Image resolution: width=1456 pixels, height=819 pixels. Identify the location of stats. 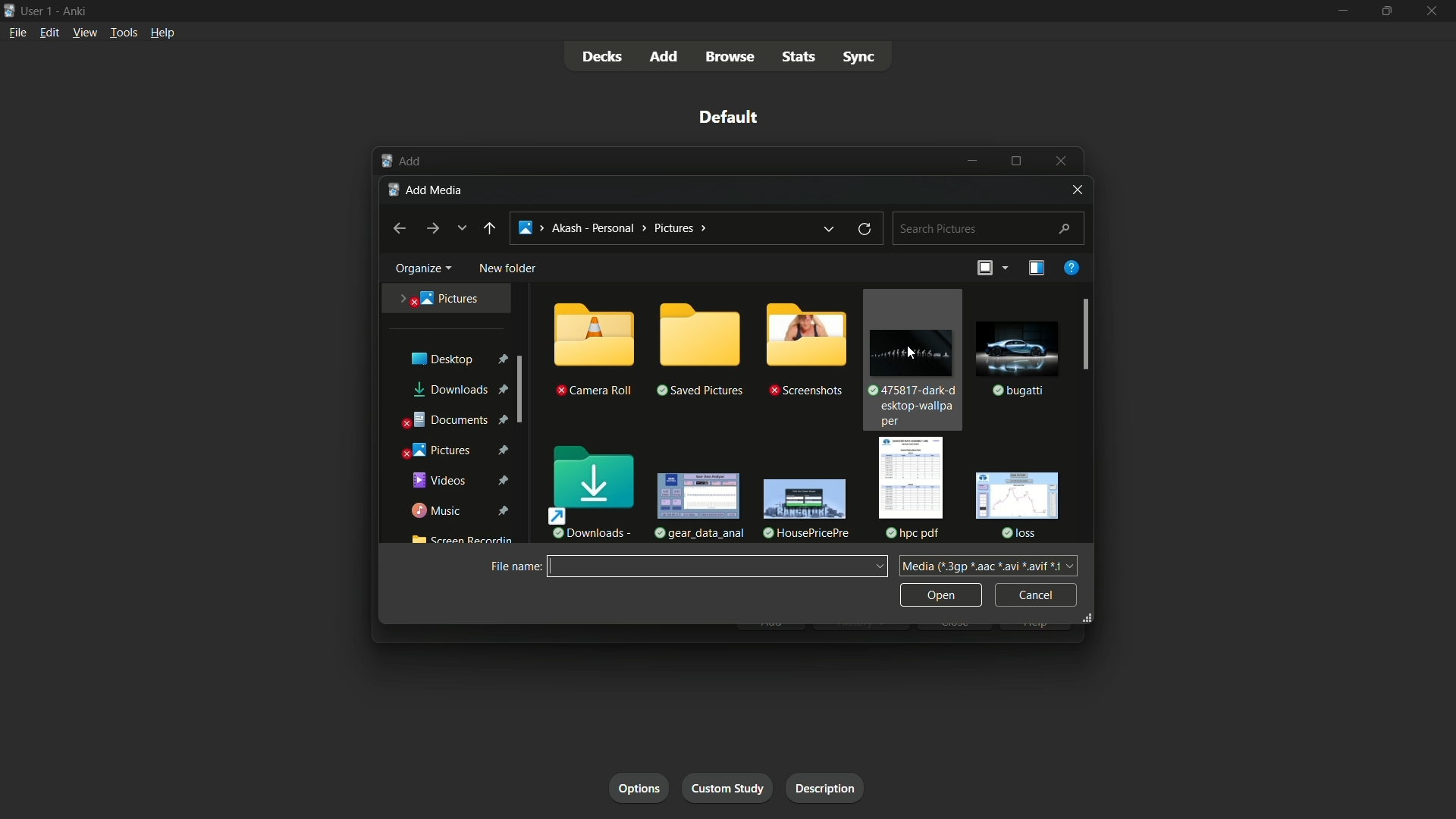
(799, 58).